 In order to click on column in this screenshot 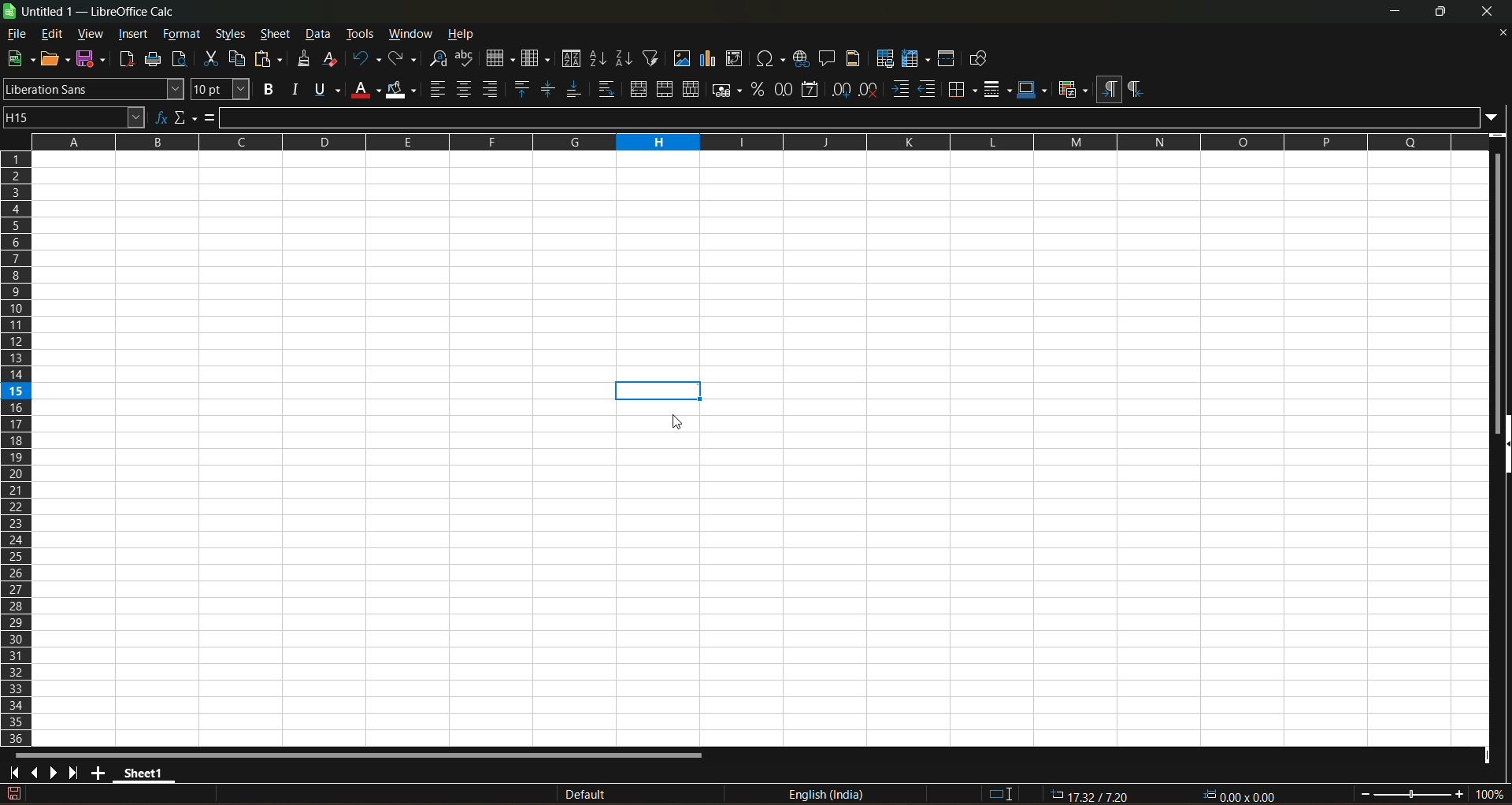, I will do `click(536, 58)`.